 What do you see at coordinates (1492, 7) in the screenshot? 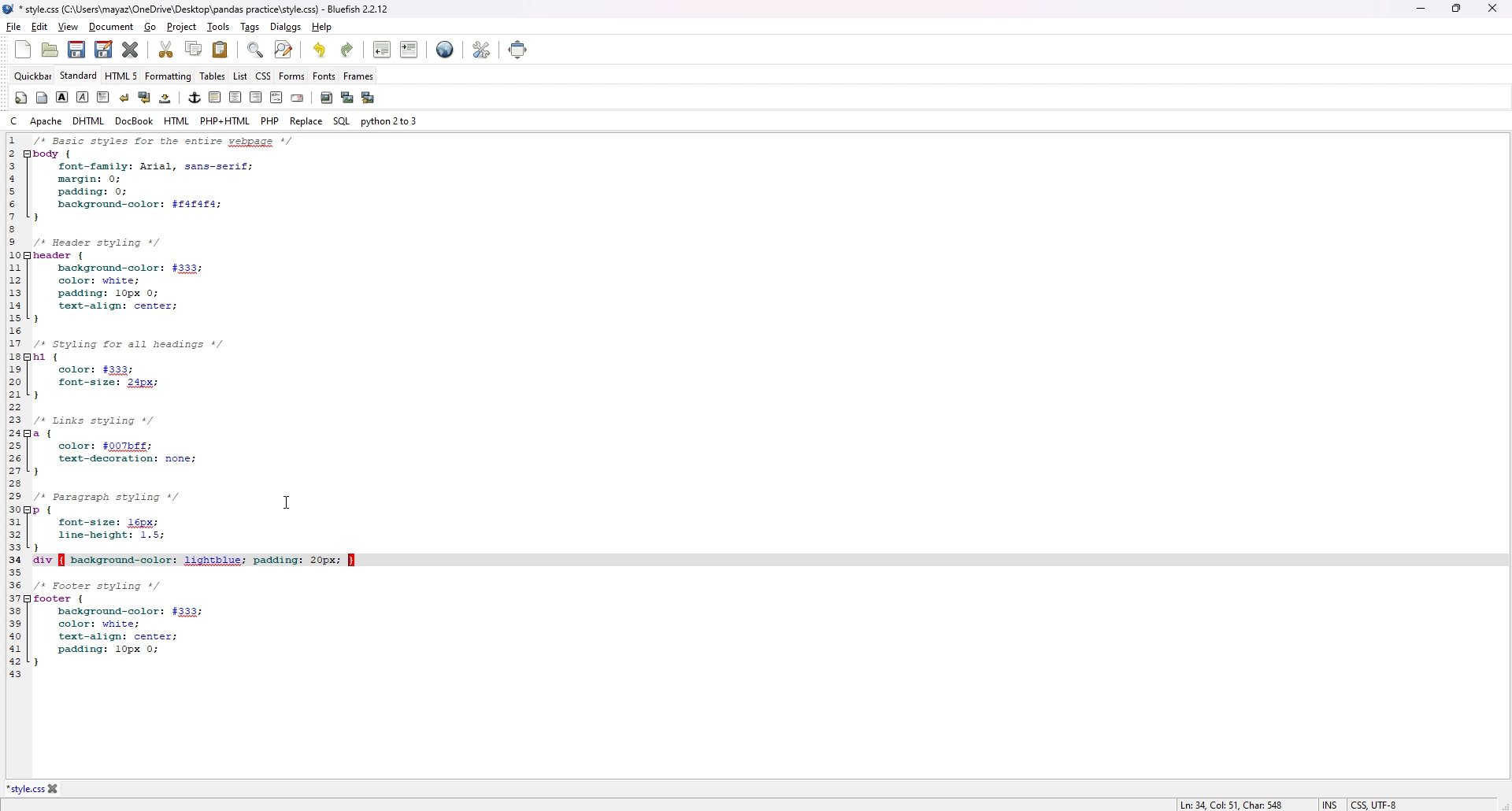
I see `close` at bounding box center [1492, 7].